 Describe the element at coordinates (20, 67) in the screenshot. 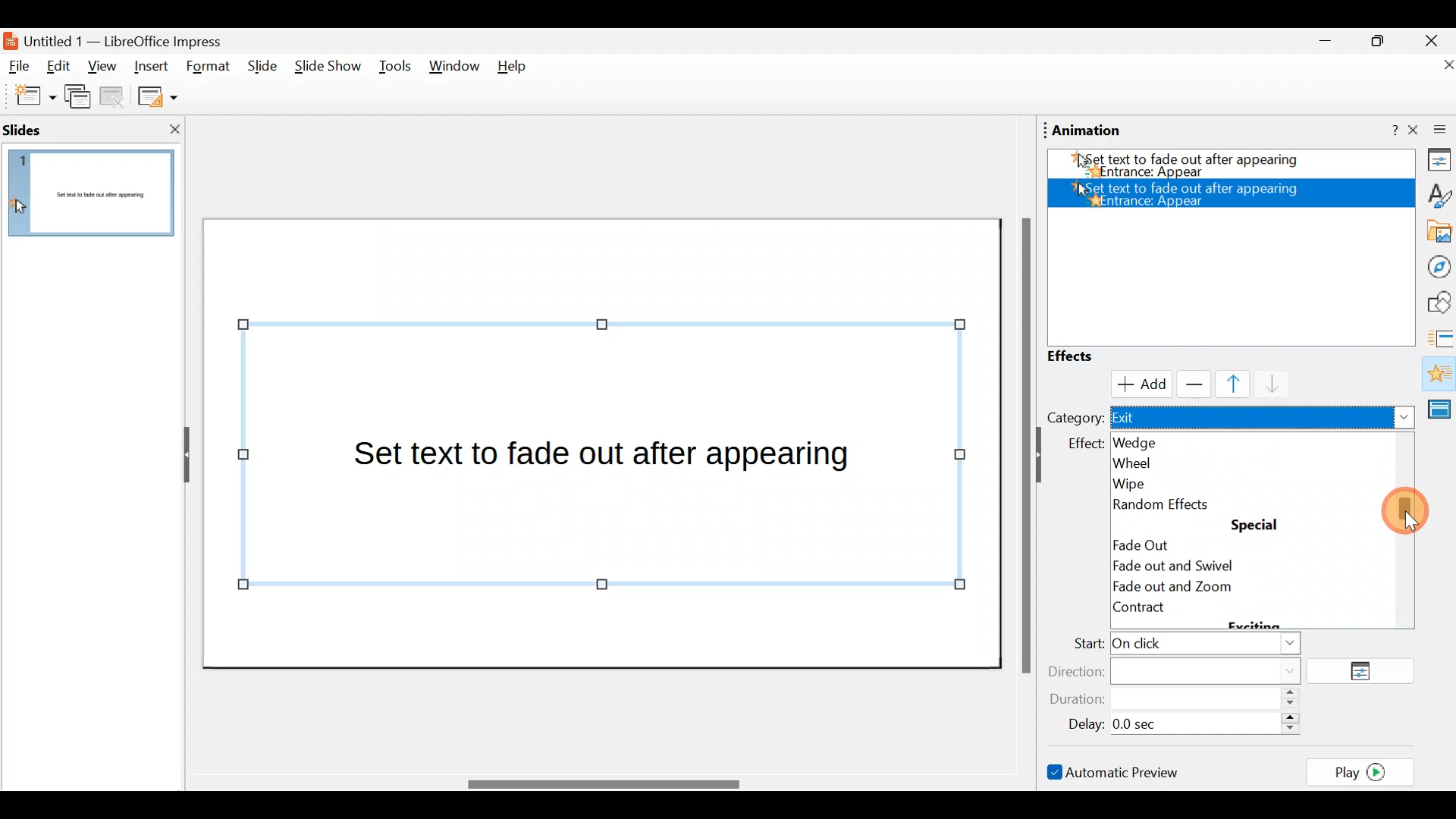

I see `File` at that location.